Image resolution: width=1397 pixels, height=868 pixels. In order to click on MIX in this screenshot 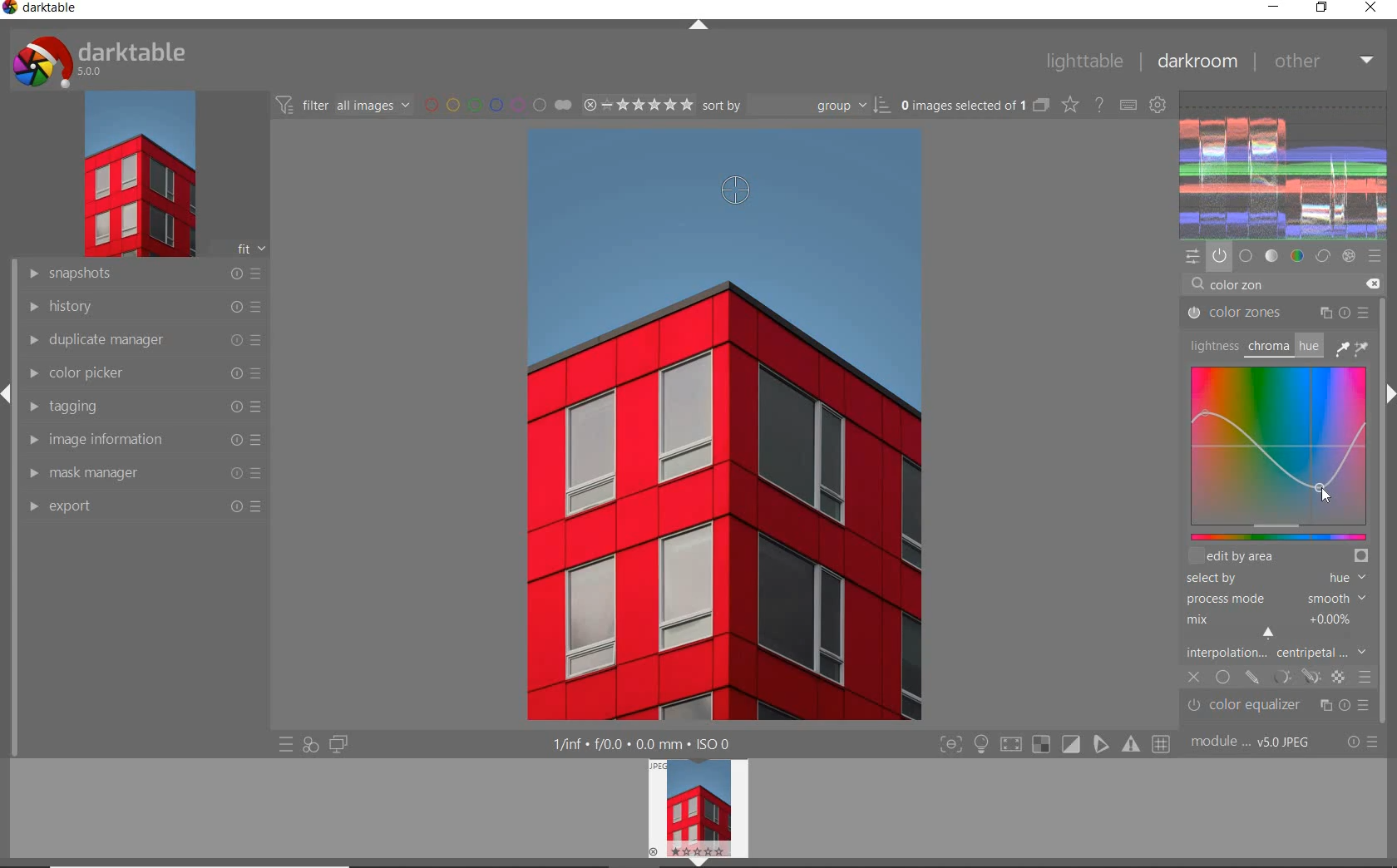, I will do `click(1274, 623)`.